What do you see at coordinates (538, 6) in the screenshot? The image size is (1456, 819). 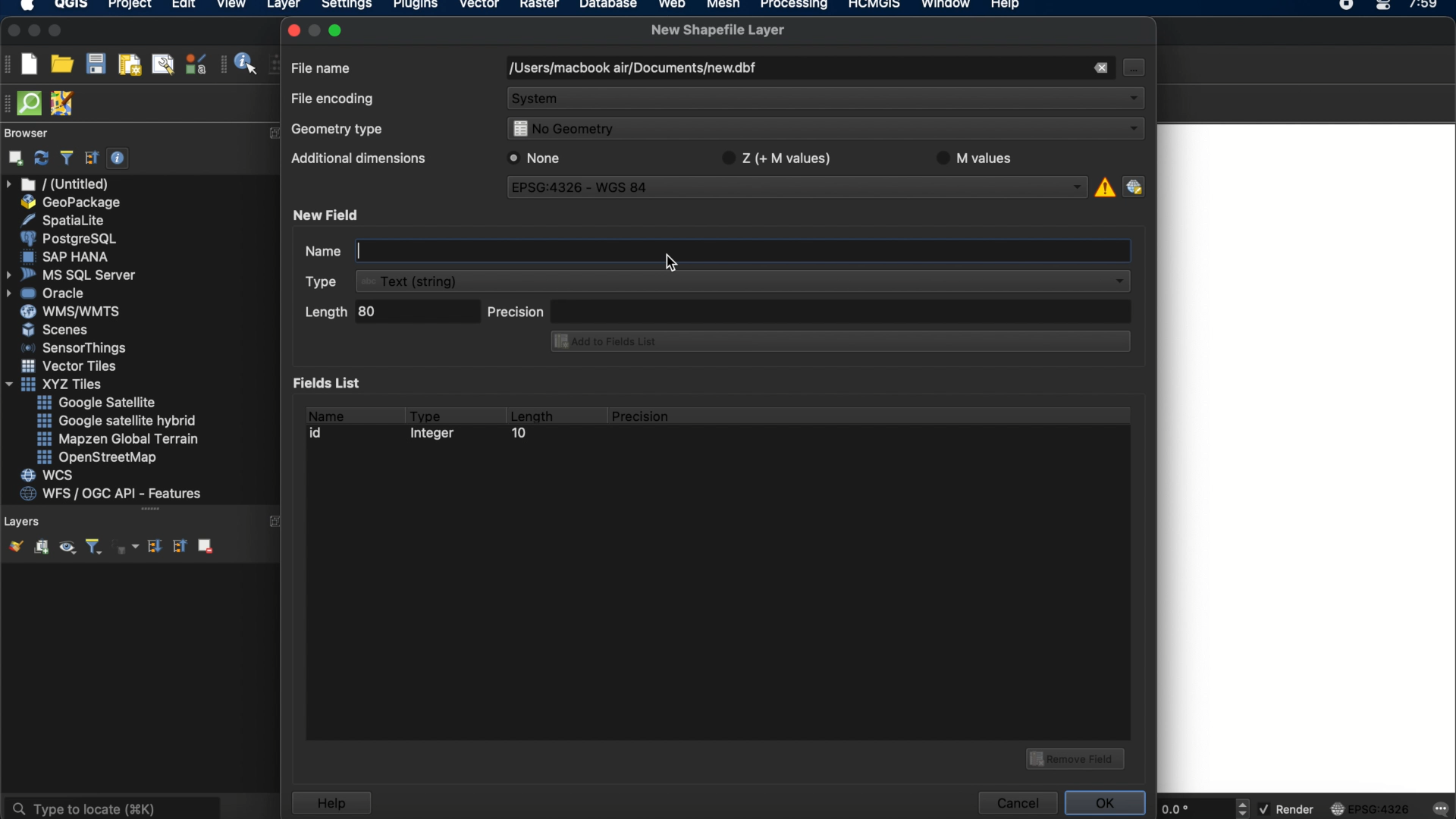 I see `raster` at bounding box center [538, 6].